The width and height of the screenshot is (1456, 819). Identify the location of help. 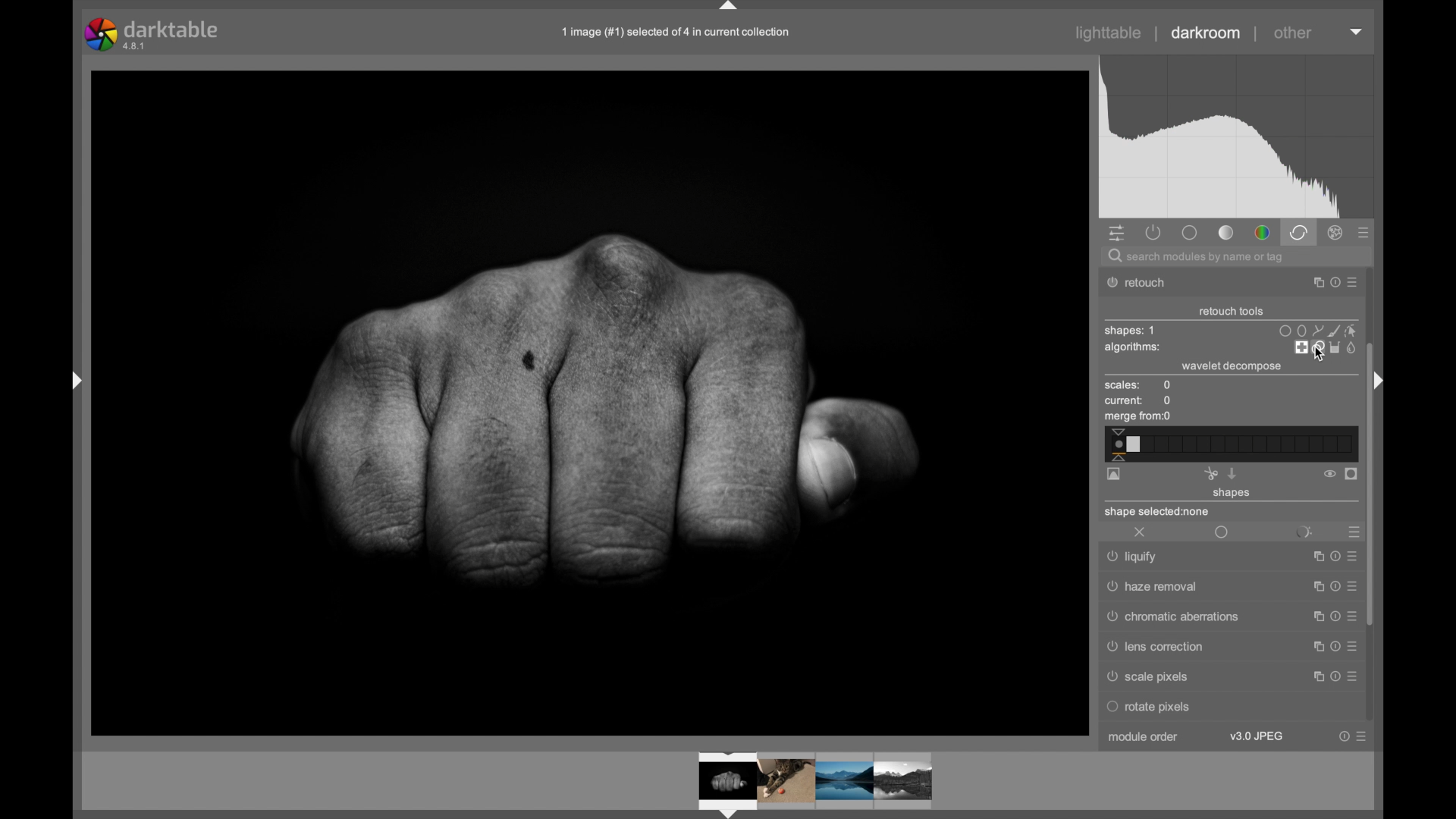
(1344, 736).